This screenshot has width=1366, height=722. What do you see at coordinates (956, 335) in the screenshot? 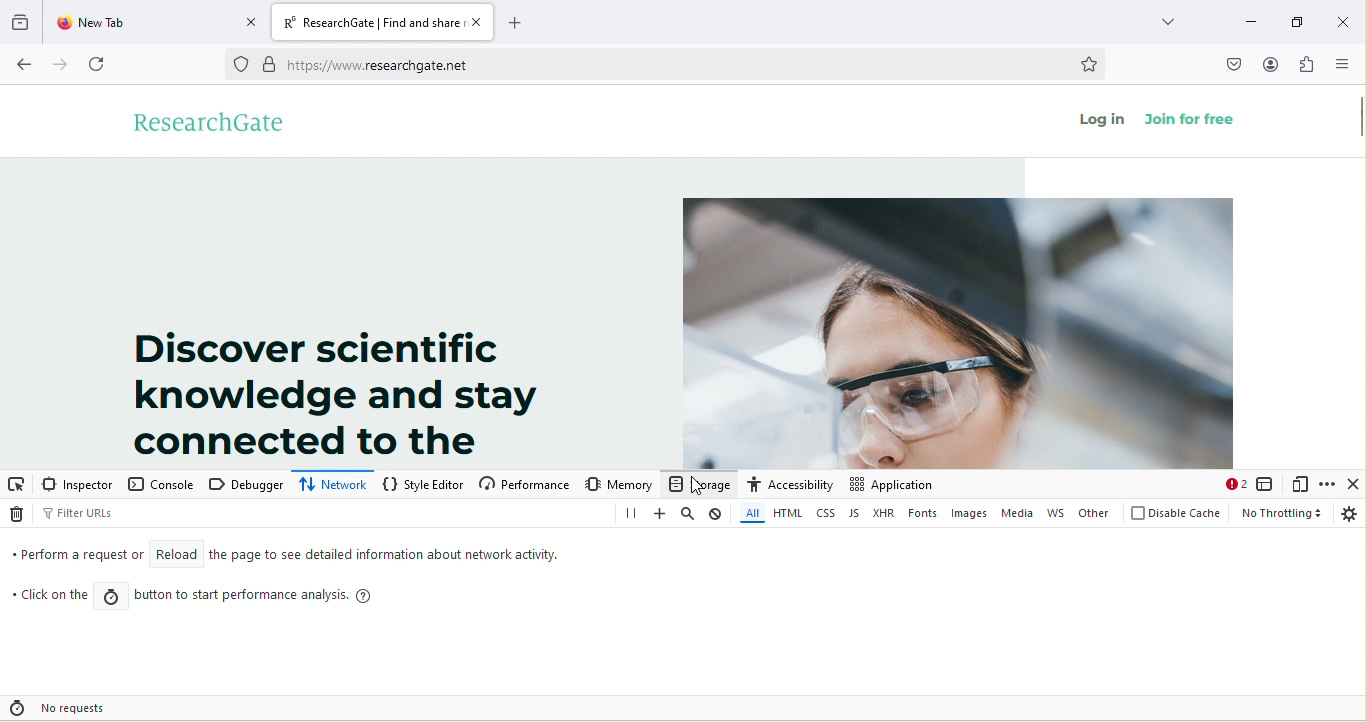
I see `image` at bounding box center [956, 335].